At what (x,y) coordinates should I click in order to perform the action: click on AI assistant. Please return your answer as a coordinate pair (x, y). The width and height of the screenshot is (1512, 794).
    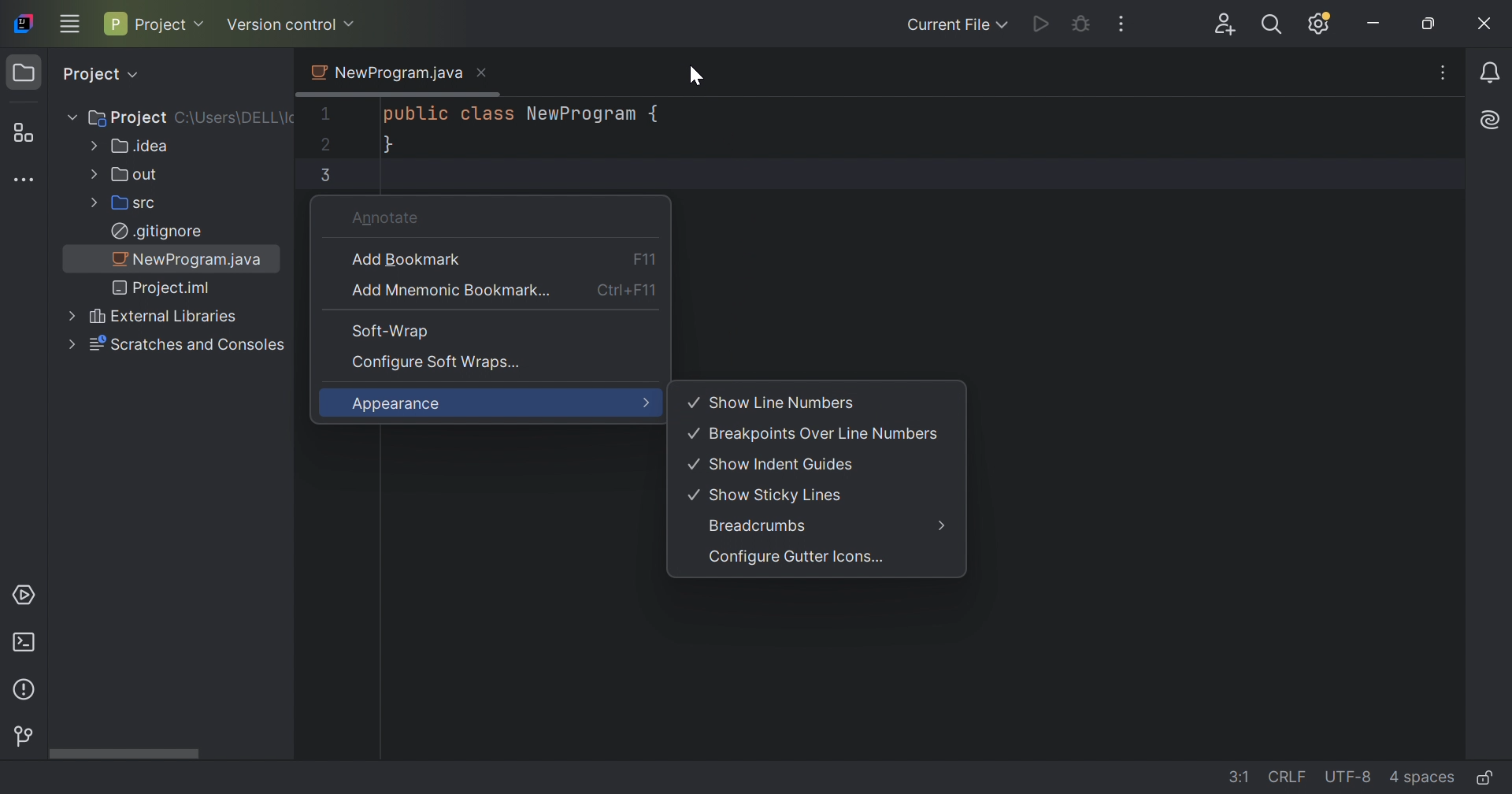
    Looking at the image, I should click on (1492, 121).